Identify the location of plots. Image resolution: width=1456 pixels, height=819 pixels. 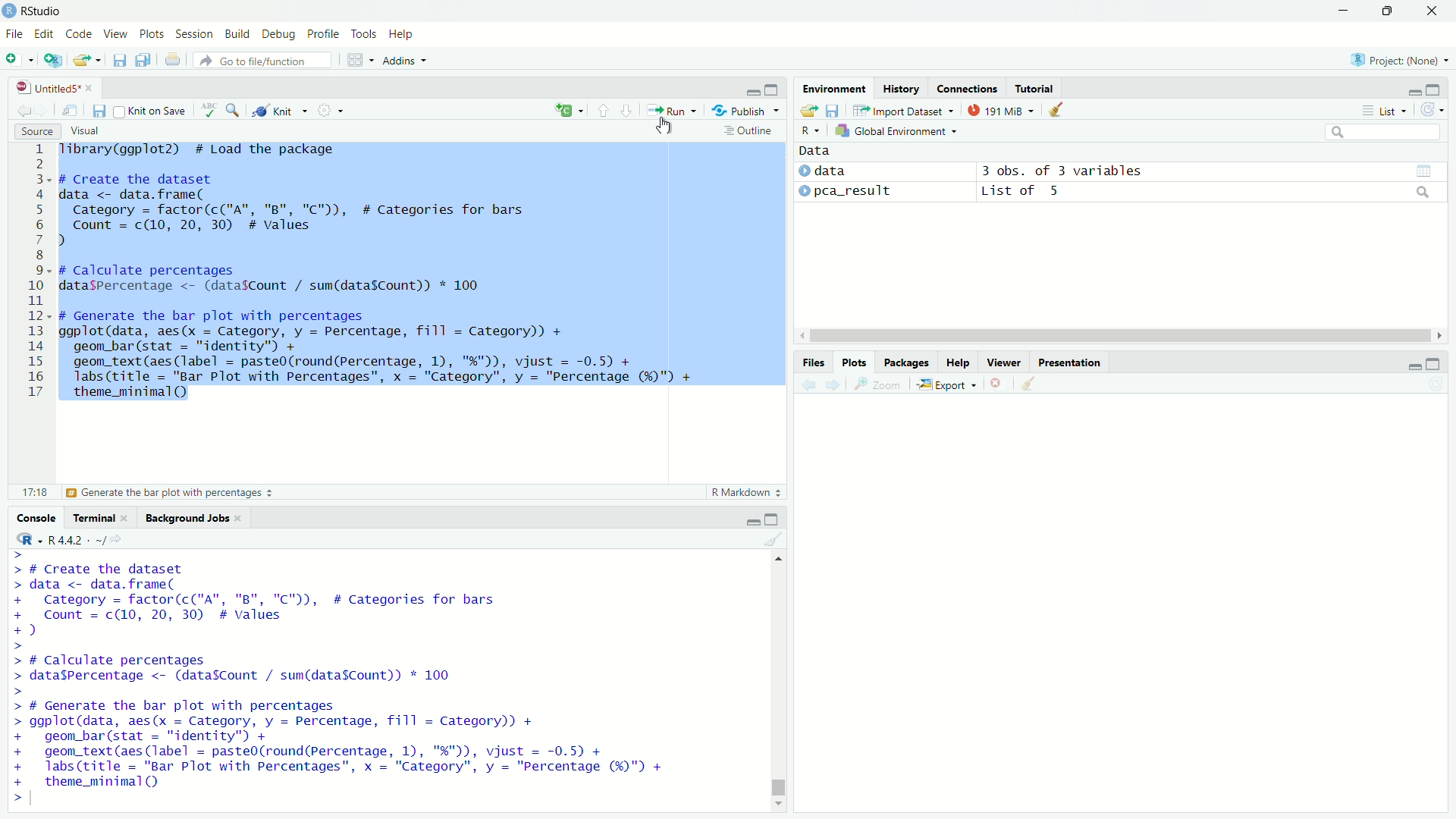
(153, 35).